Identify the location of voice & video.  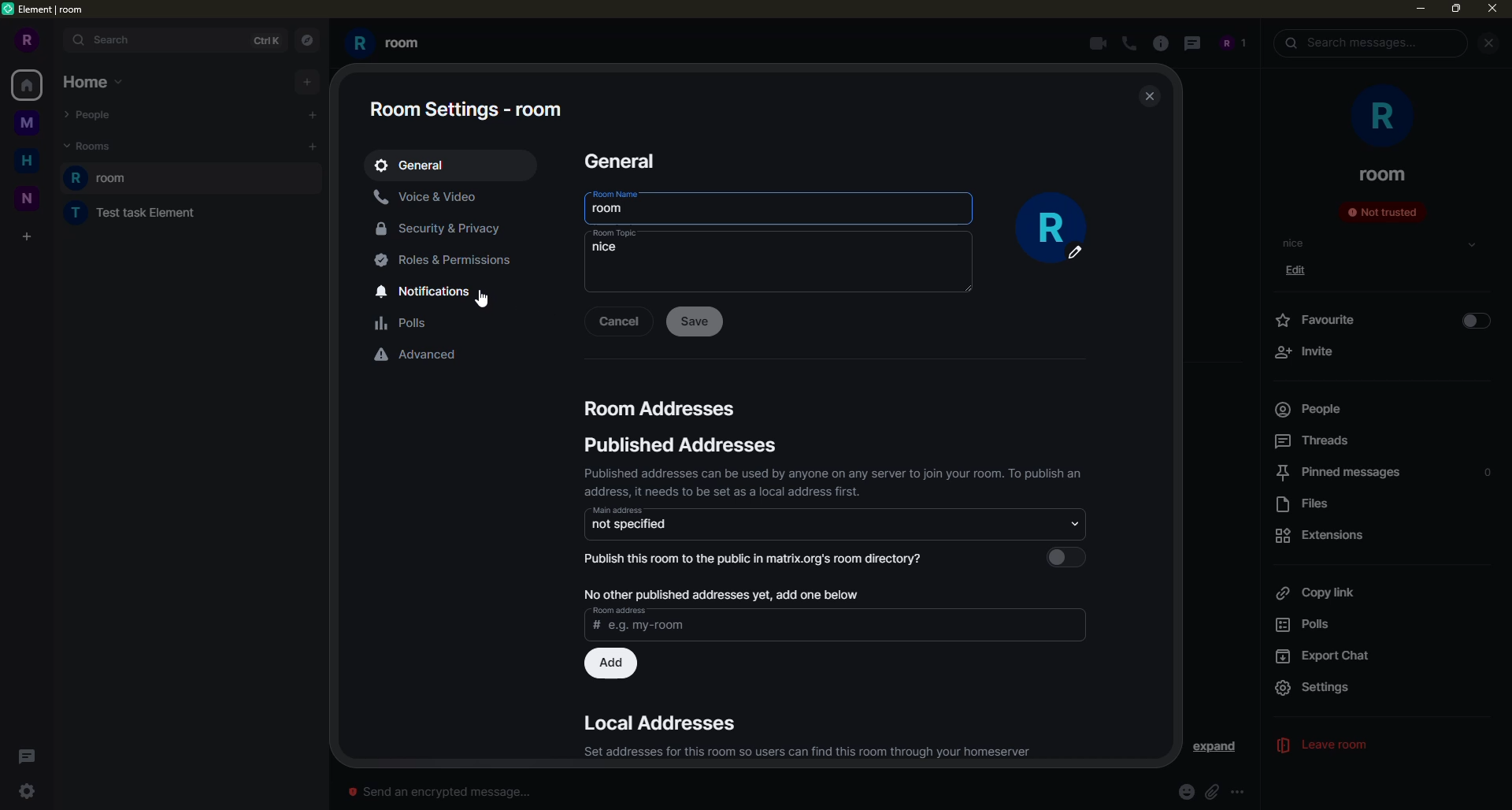
(425, 197).